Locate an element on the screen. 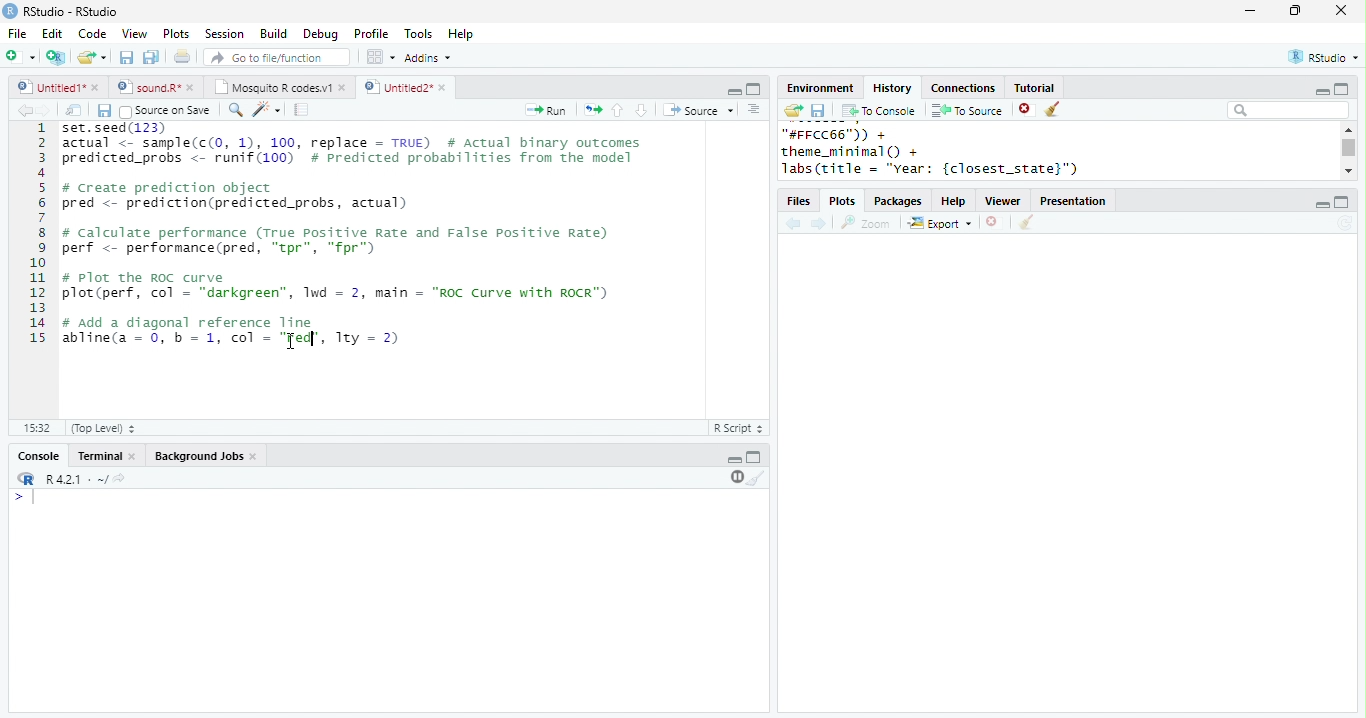 This screenshot has width=1366, height=718. back is located at coordinates (793, 225).